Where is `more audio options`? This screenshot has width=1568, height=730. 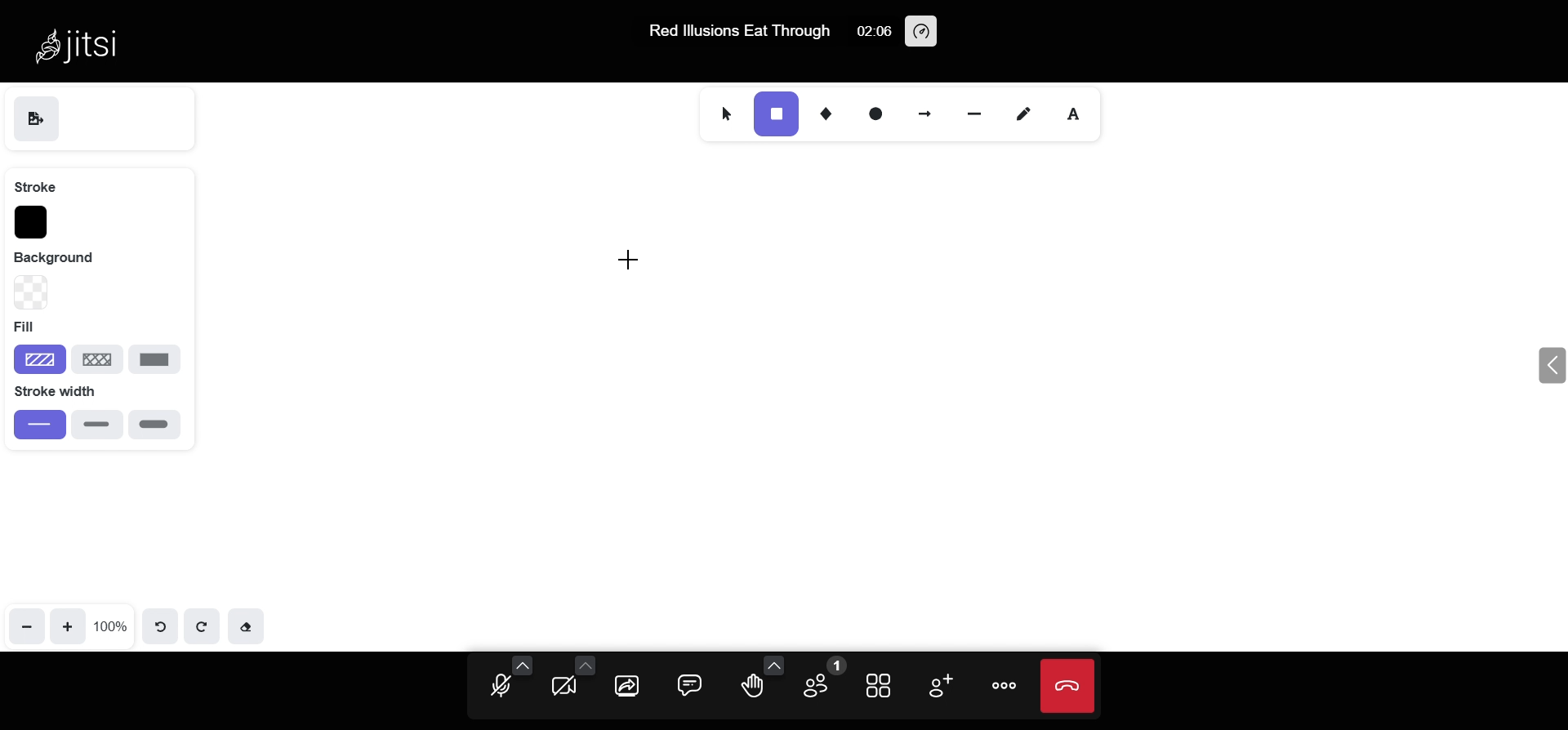 more audio options is located at coordinates (523, 665).